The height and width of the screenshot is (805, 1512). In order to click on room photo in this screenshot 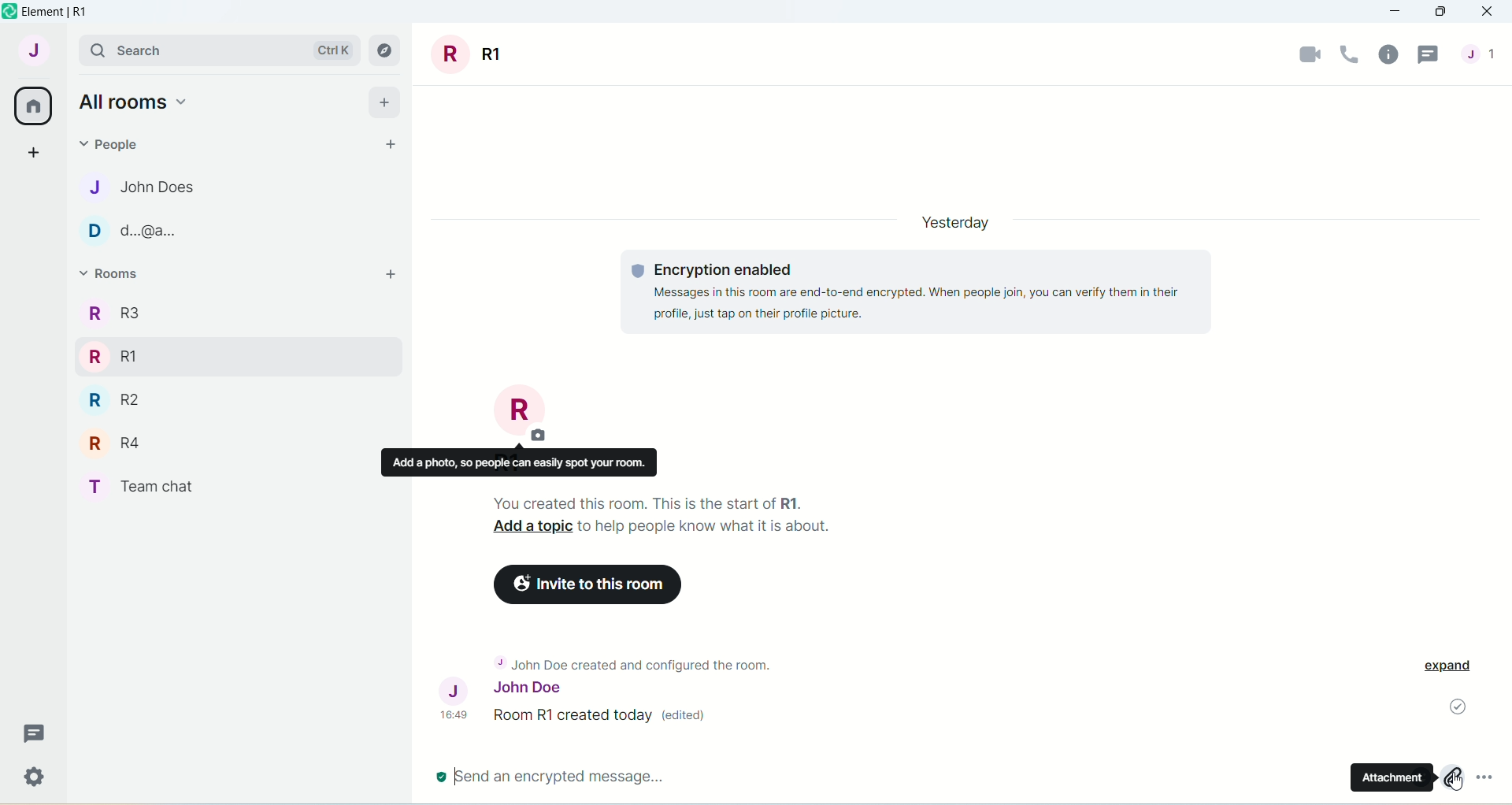, I will do `click(521, 412)`.